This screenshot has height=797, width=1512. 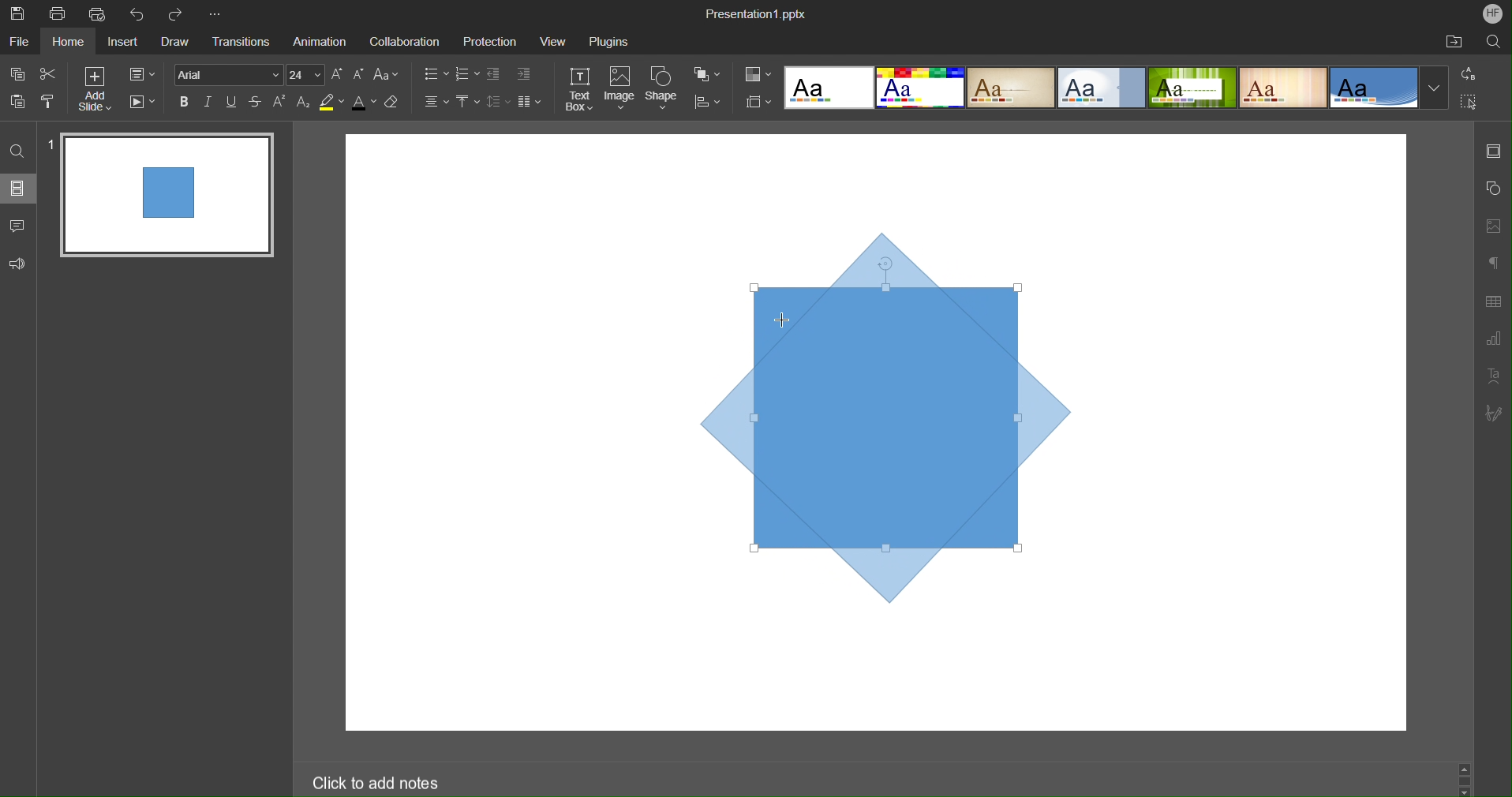 I want to click on Slide Size, so click(x=757, y=101).